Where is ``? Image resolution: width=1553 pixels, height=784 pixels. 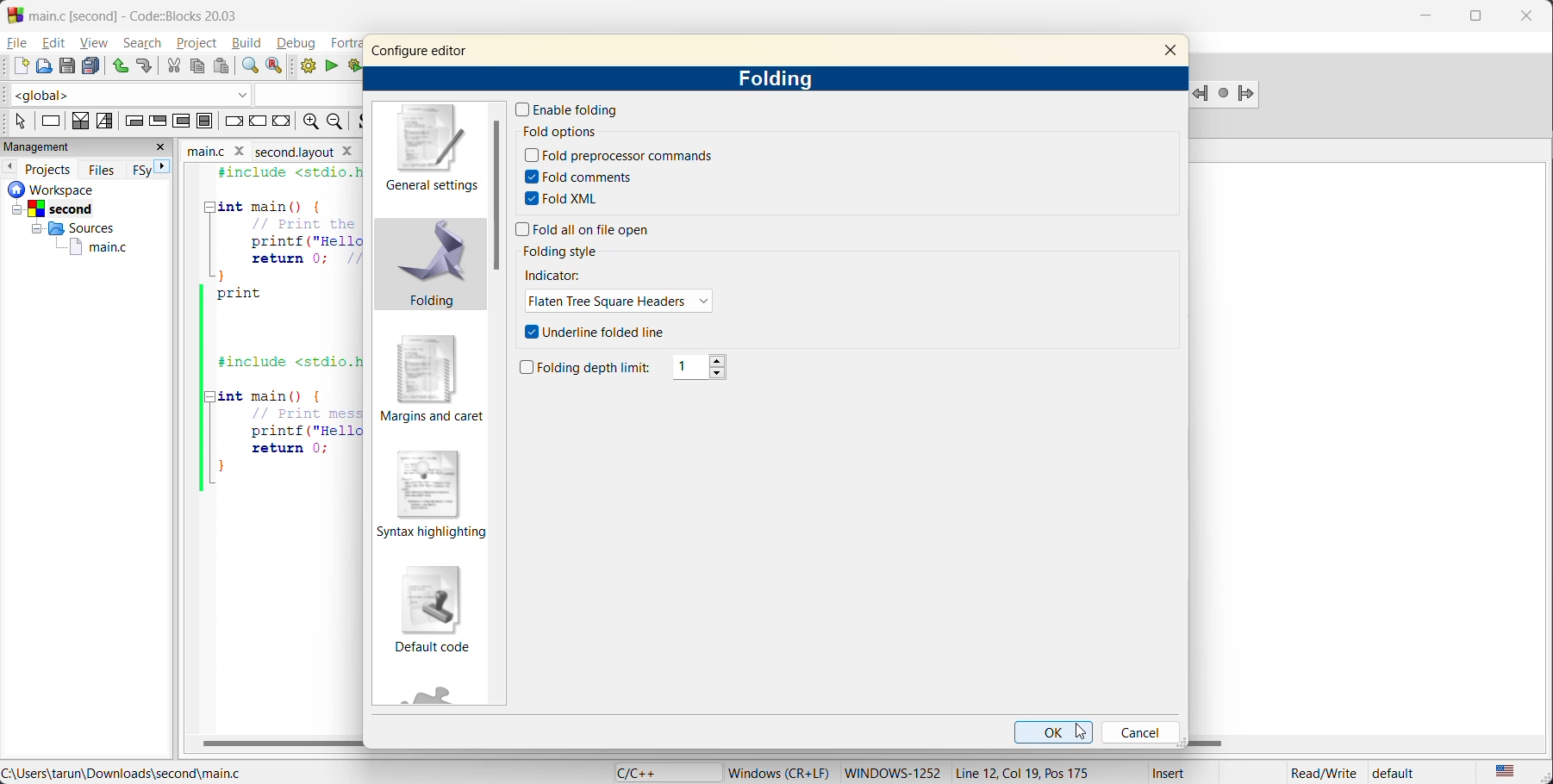
 is located at coordinates (52, 208).